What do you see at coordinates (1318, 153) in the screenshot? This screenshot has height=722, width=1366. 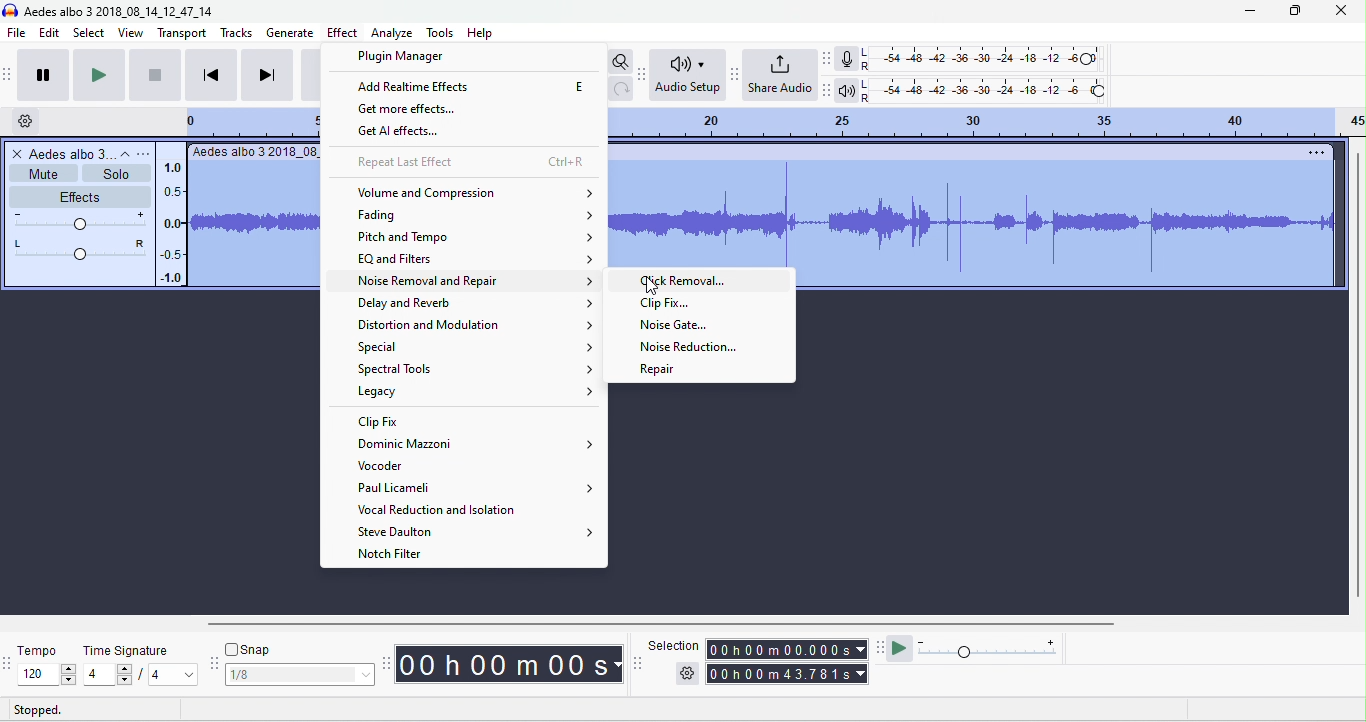 I see `options` at bounding box center [1318, 153].